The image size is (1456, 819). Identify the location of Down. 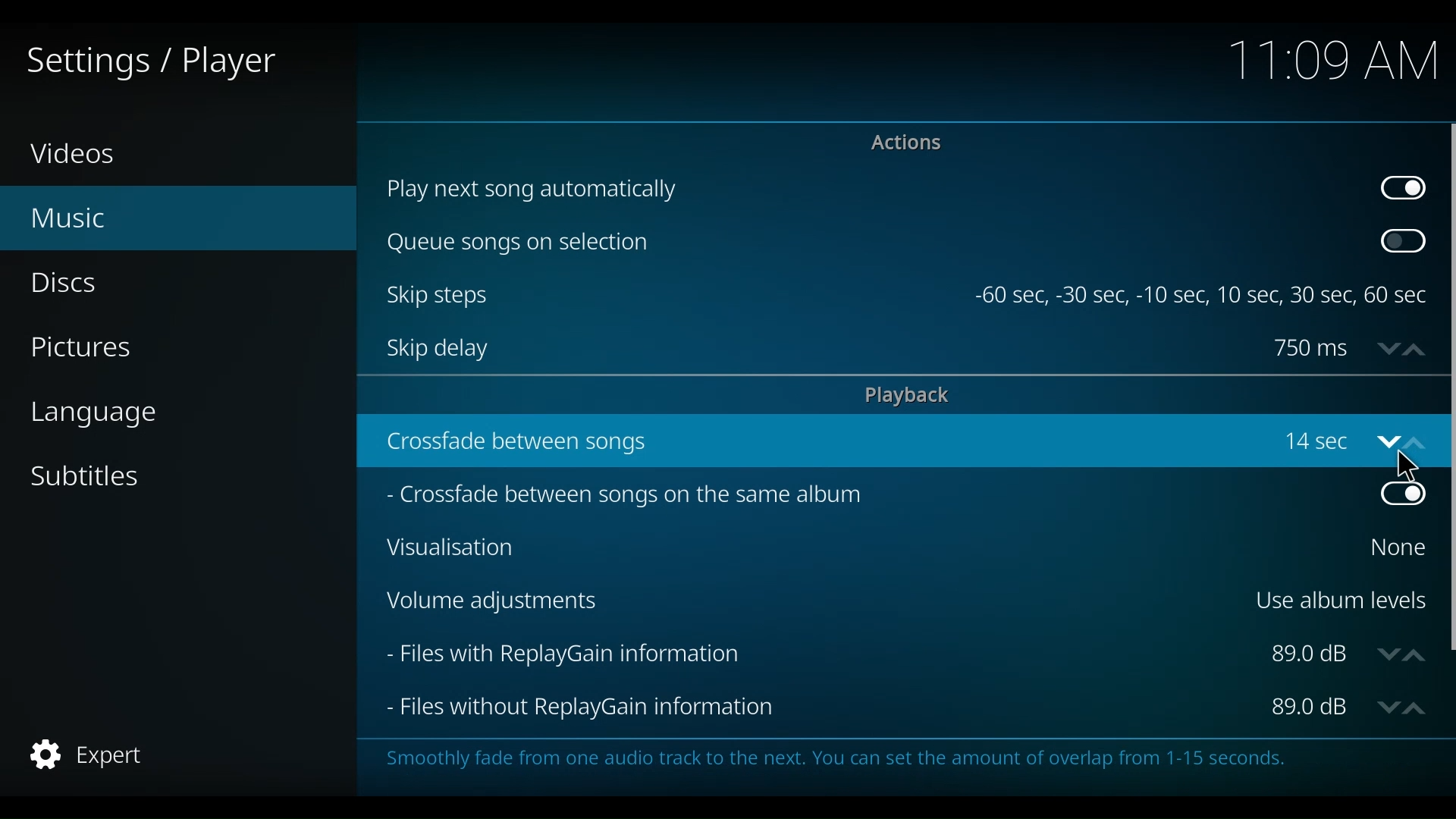
(1385, 706).